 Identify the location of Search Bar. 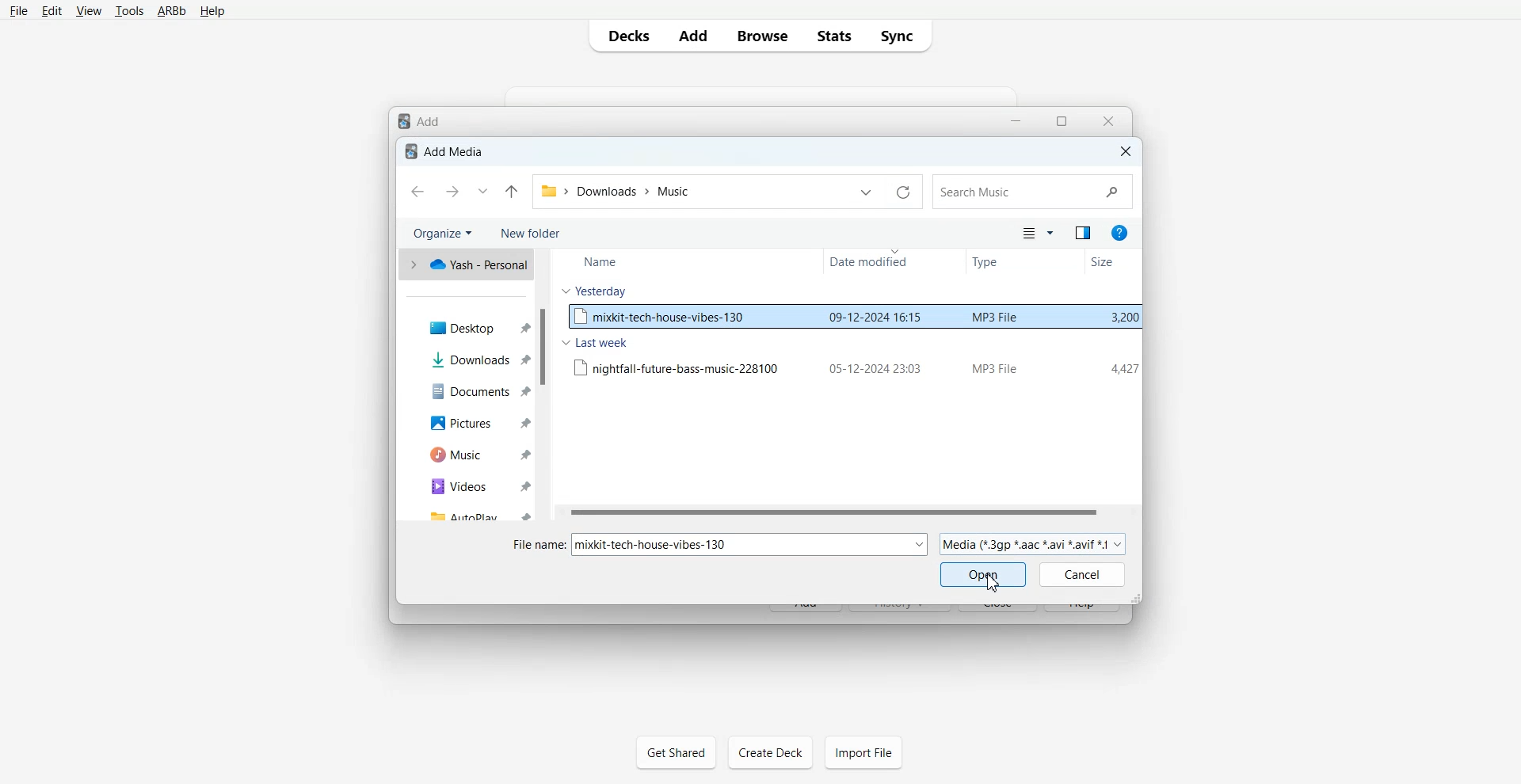
(1033, 192).